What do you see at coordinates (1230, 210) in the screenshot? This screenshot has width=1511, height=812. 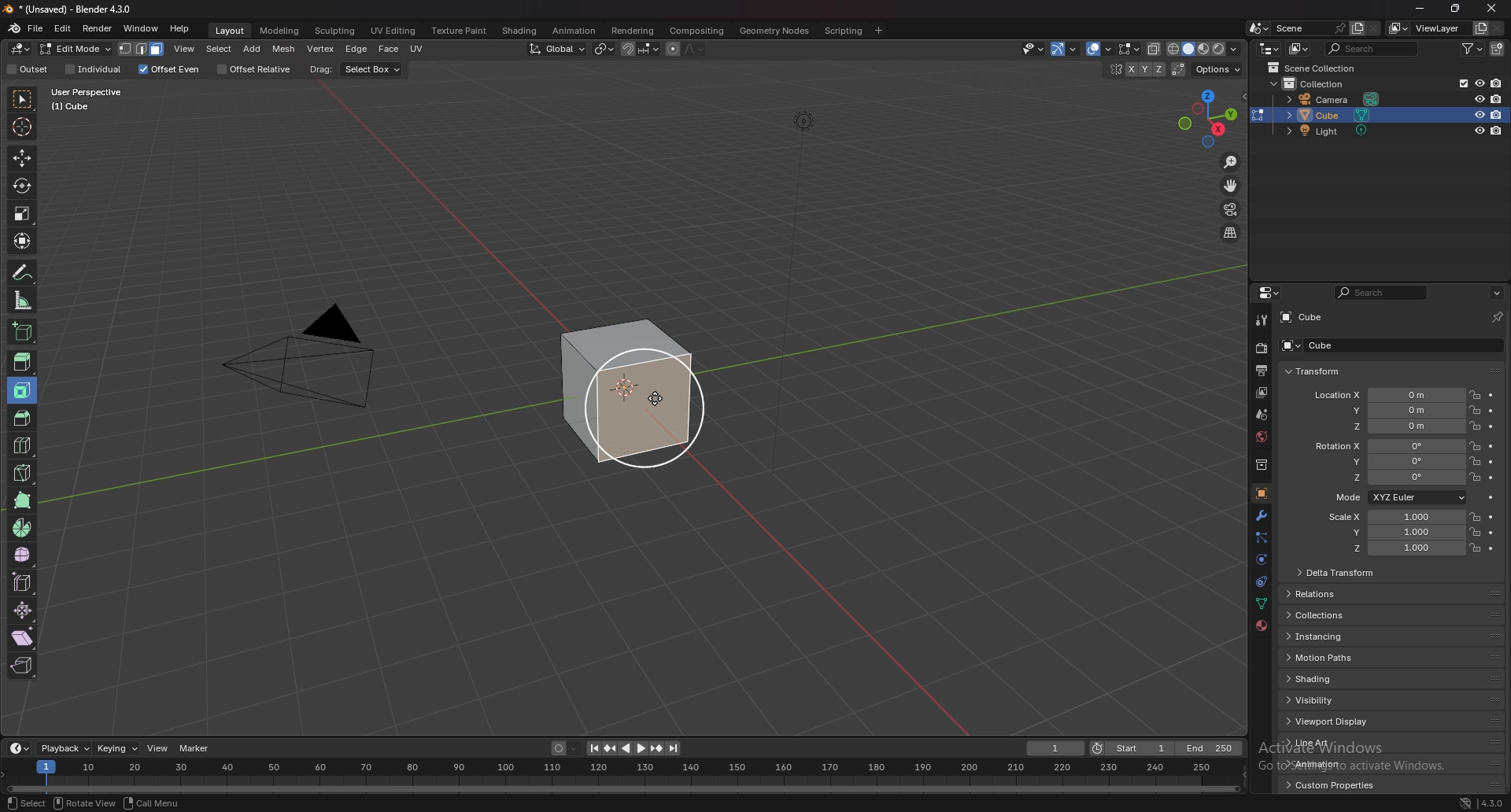 I see `camera viewpoint` at bounding box center [1230, 210].